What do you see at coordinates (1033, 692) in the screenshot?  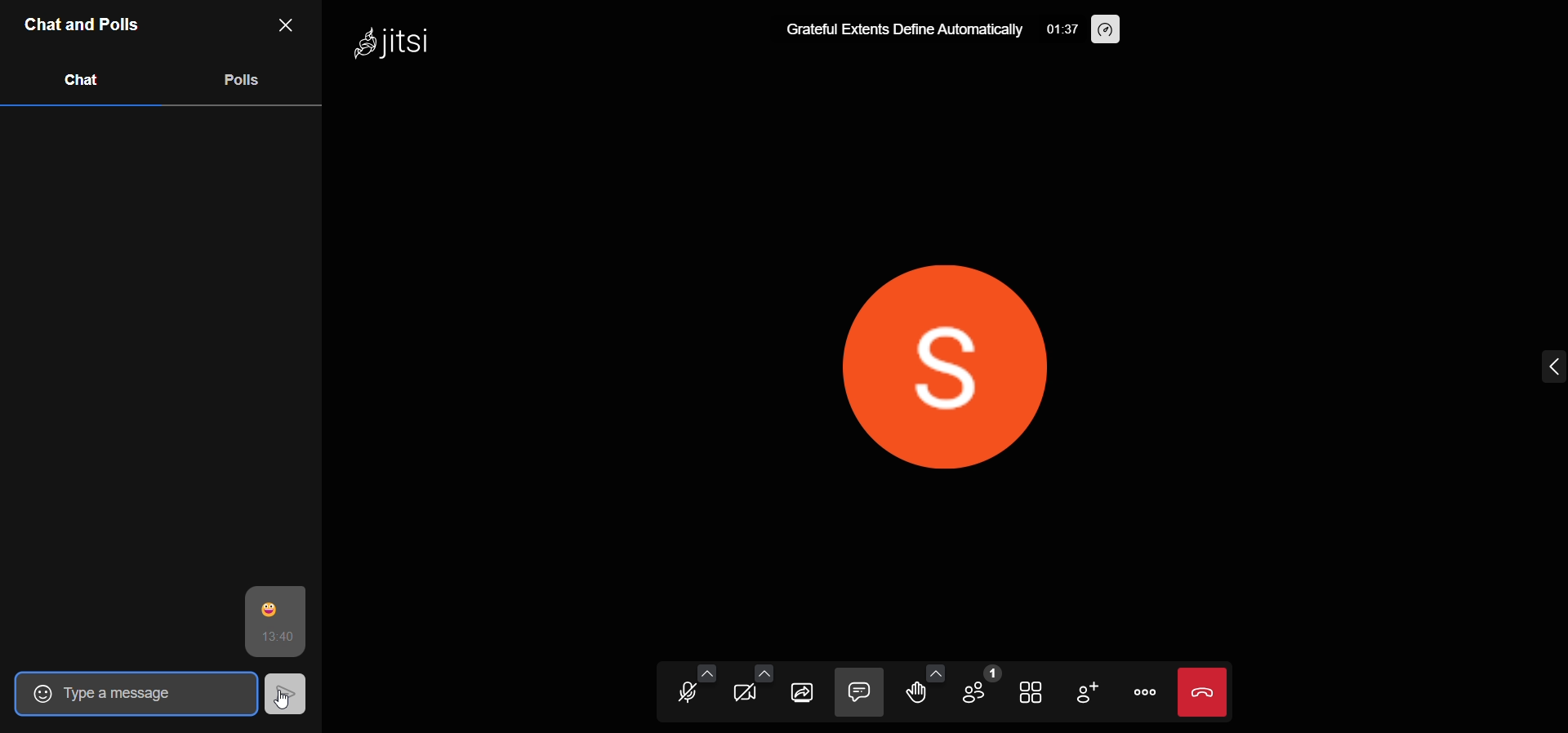 I see `tile view` at bounding box center [1033, 692].